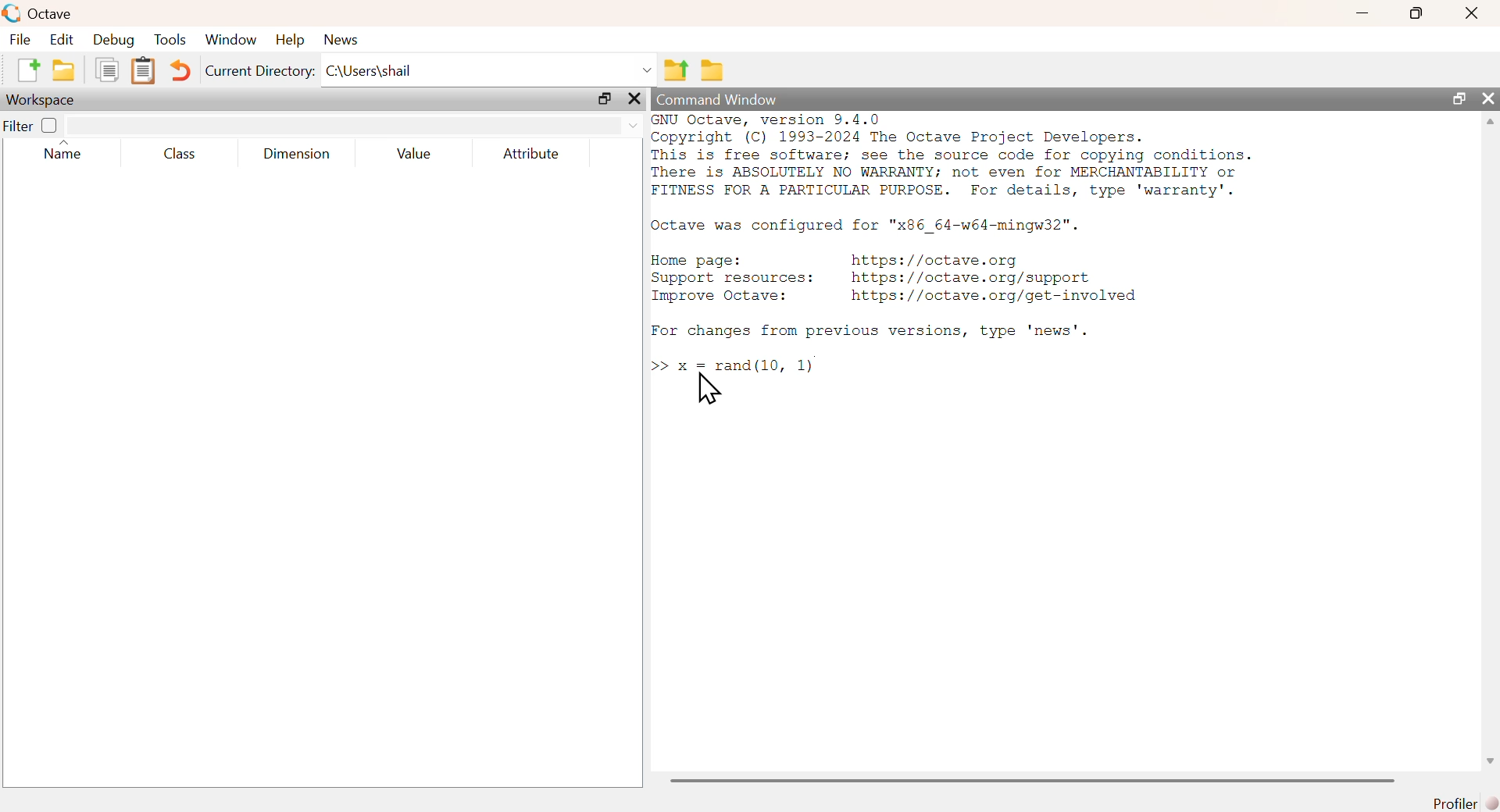 Image resolution: width=1500 pixels, height=812 pixels. What do you see at coordinates (16, 126) in the screenshot?
I see `filter` at bounding box center [16, 126].